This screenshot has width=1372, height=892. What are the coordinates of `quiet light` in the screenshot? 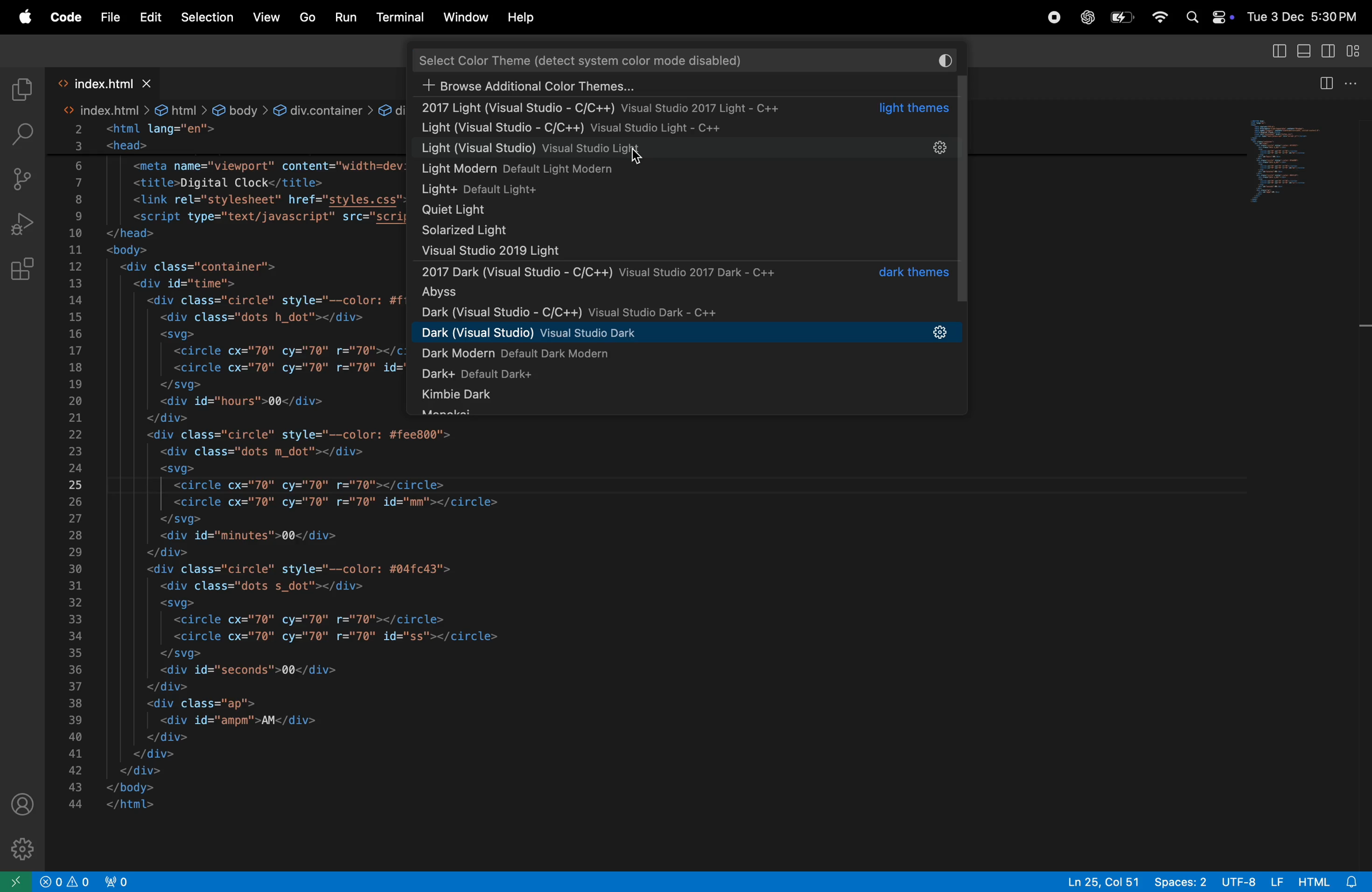 It's located at (625, 210).